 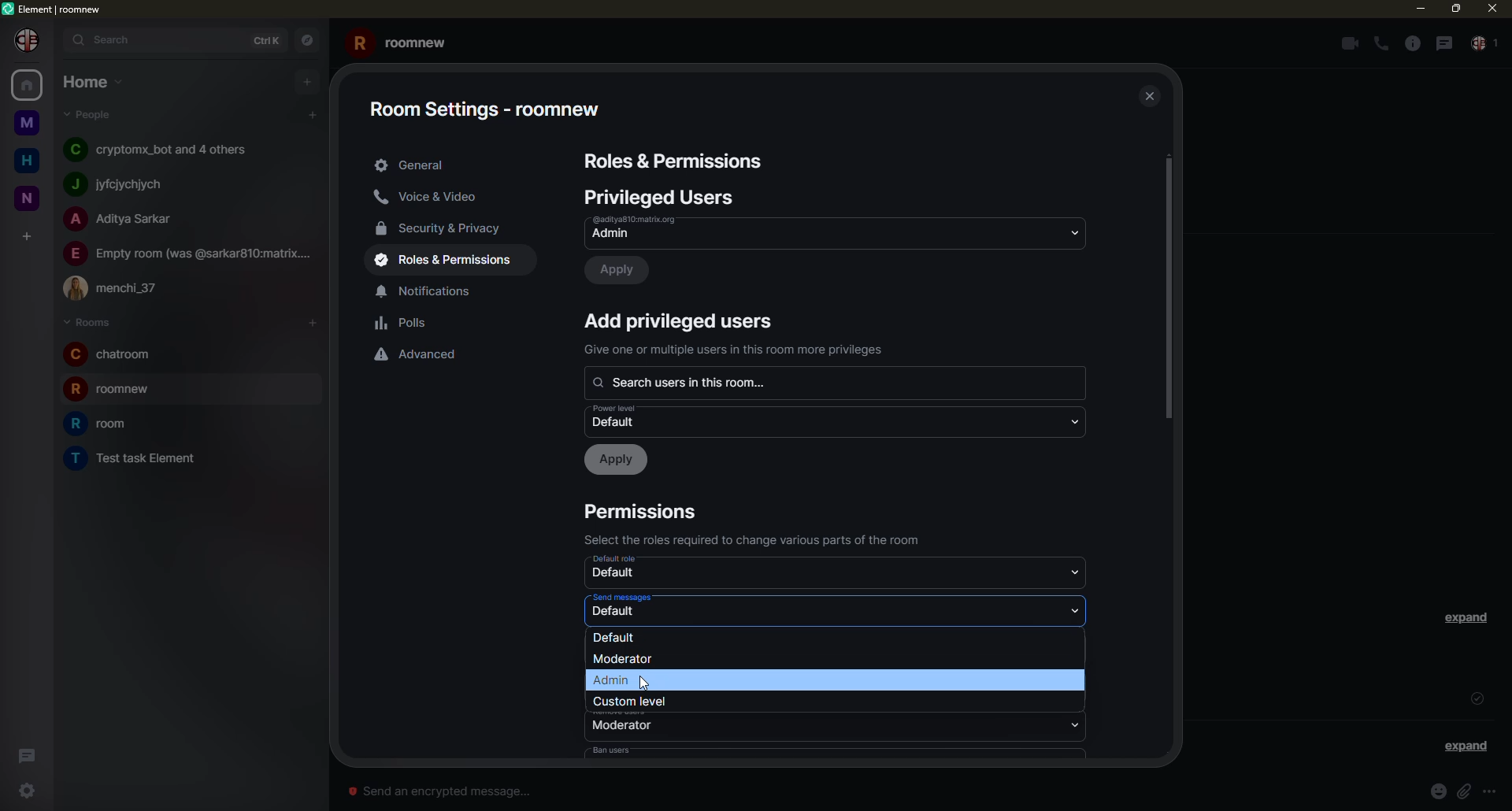 I want to click on roles, so click(x=450, y=261).